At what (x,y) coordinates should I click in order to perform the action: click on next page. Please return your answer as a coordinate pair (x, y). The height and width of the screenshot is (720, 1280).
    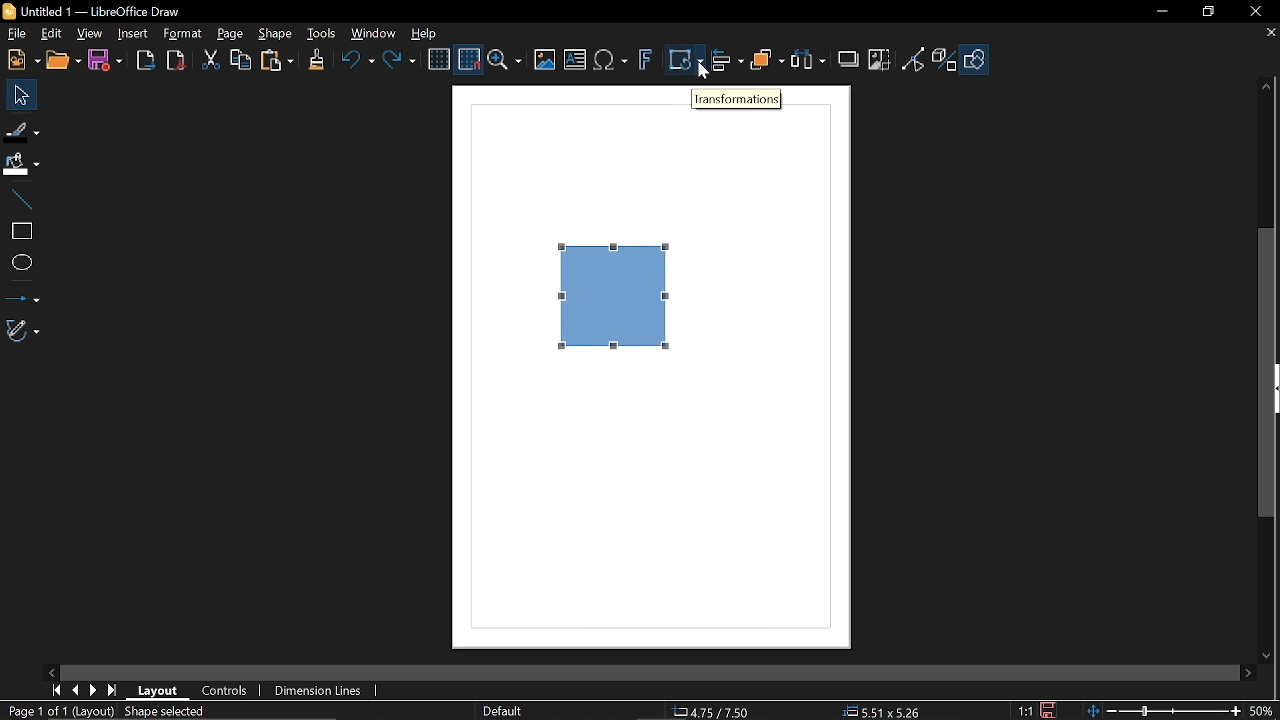
    Looking at the image, I should click on (93, 689).